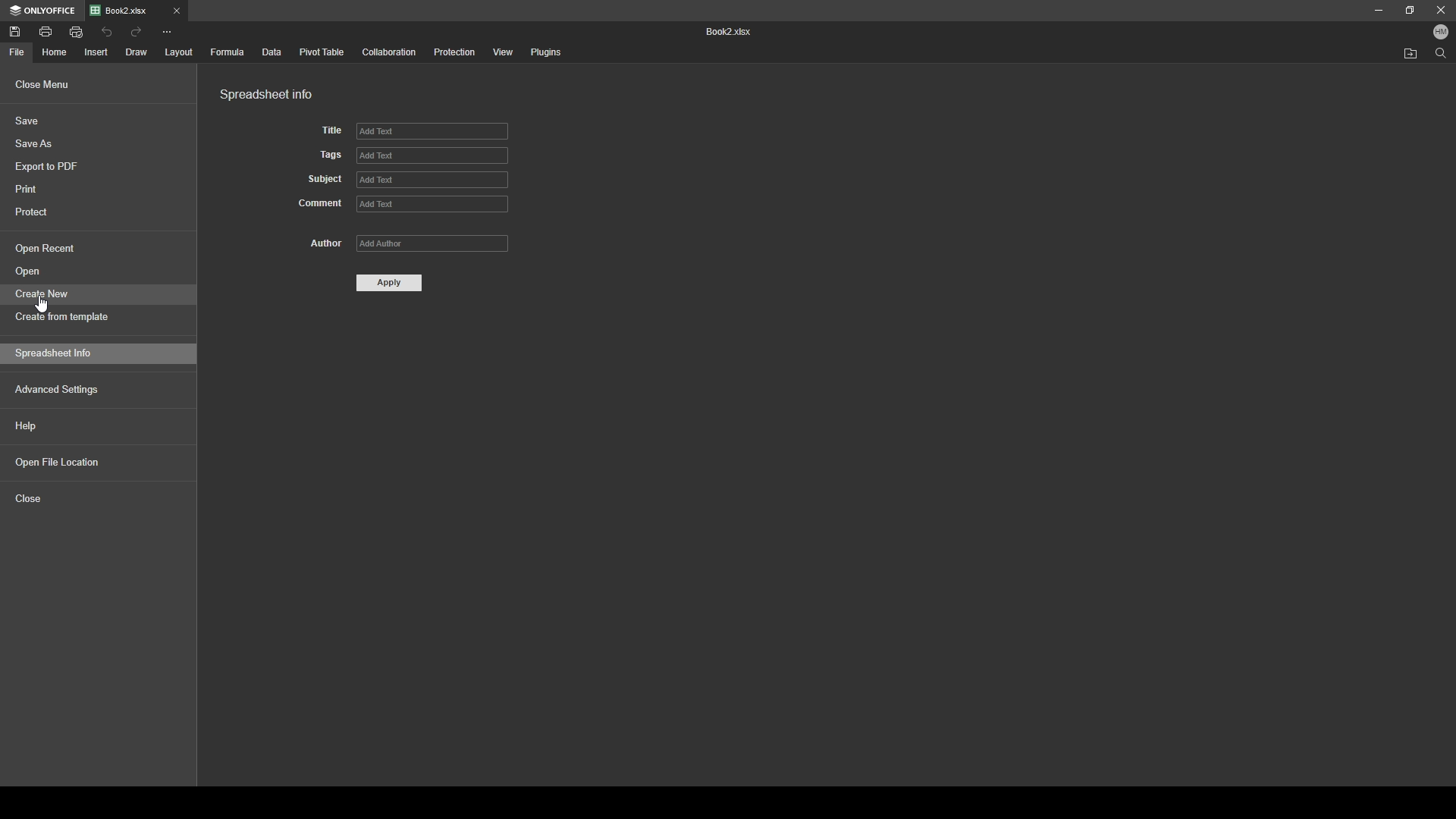 The height and width of the screenshot is (819, 1456). I want to click on home, so click(55, 52).